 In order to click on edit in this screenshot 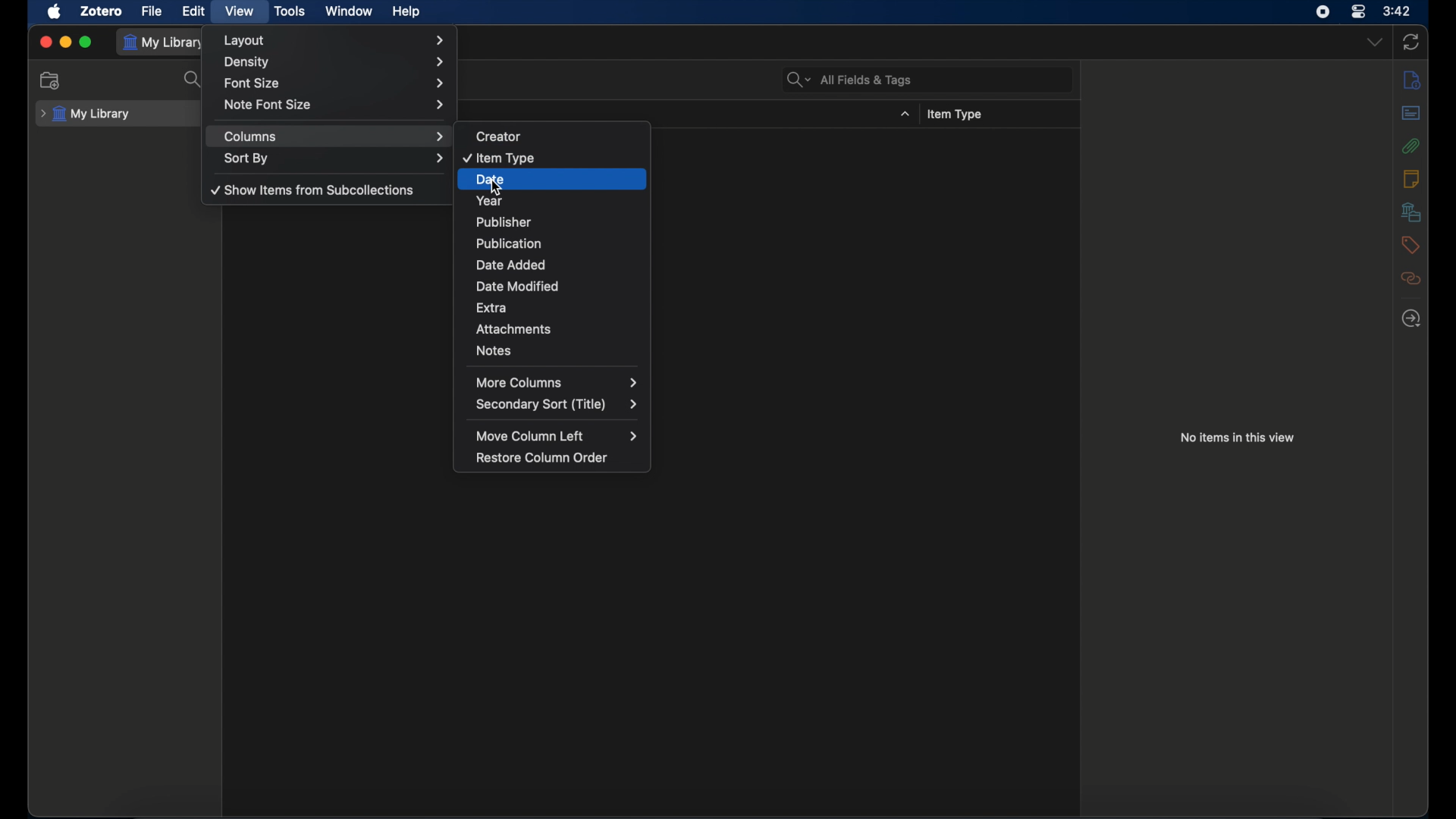, I will do `click(194, 11)`.